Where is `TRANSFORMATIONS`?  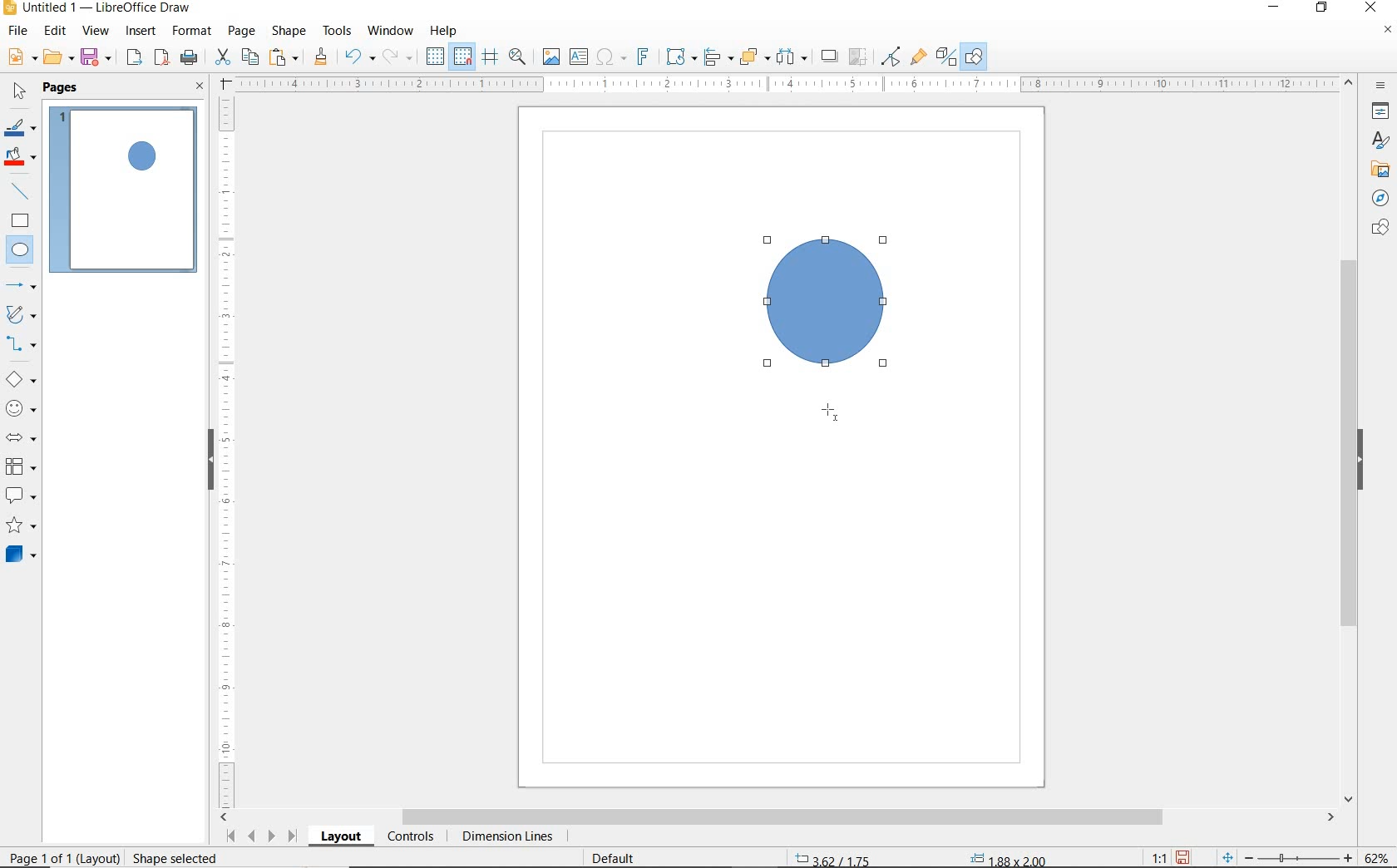 TRANSFORMATIONS is located at coordinates (679, 57).